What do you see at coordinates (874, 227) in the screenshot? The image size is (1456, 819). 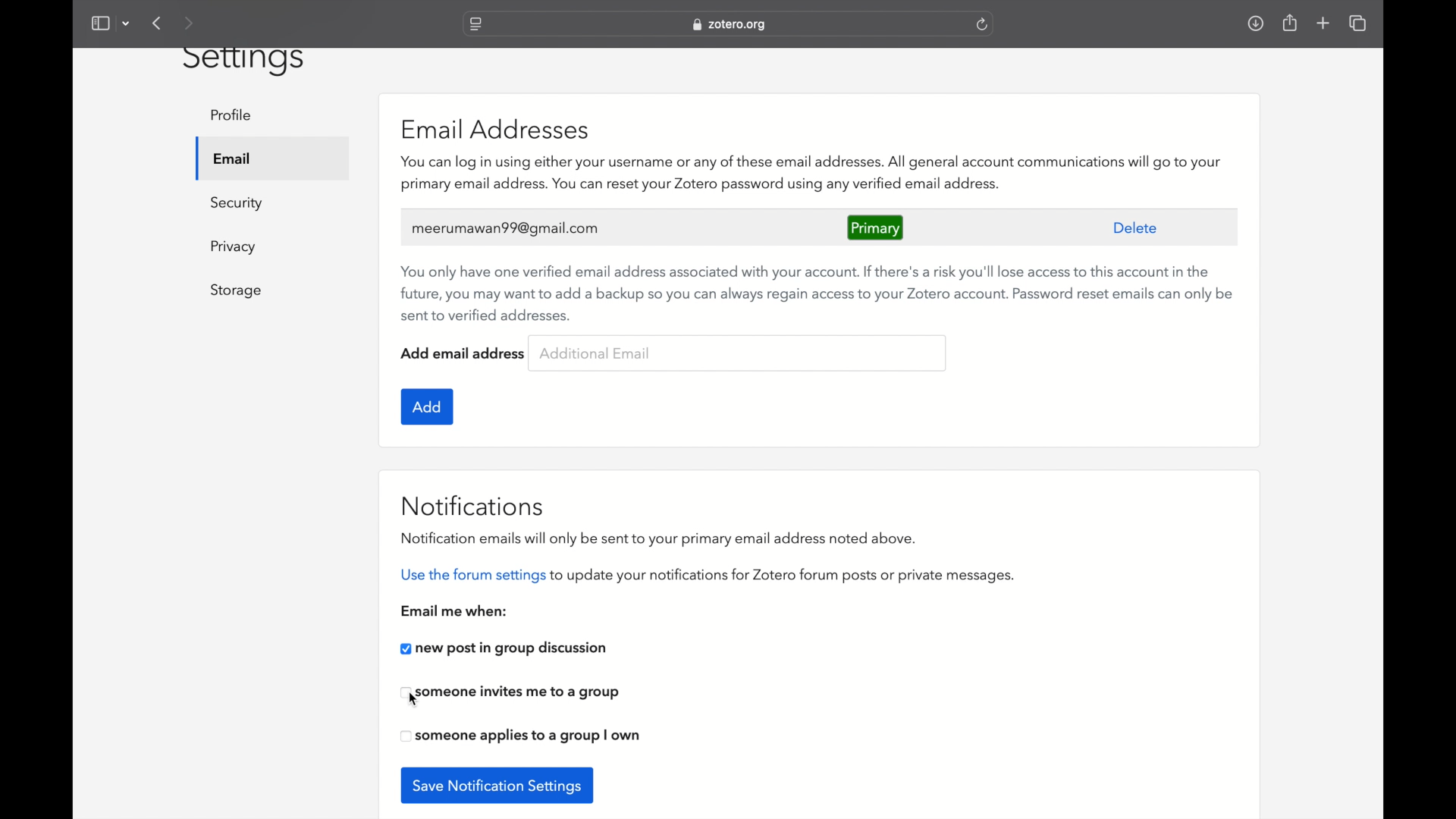 I see `primary` at bounding box center [874, 227].